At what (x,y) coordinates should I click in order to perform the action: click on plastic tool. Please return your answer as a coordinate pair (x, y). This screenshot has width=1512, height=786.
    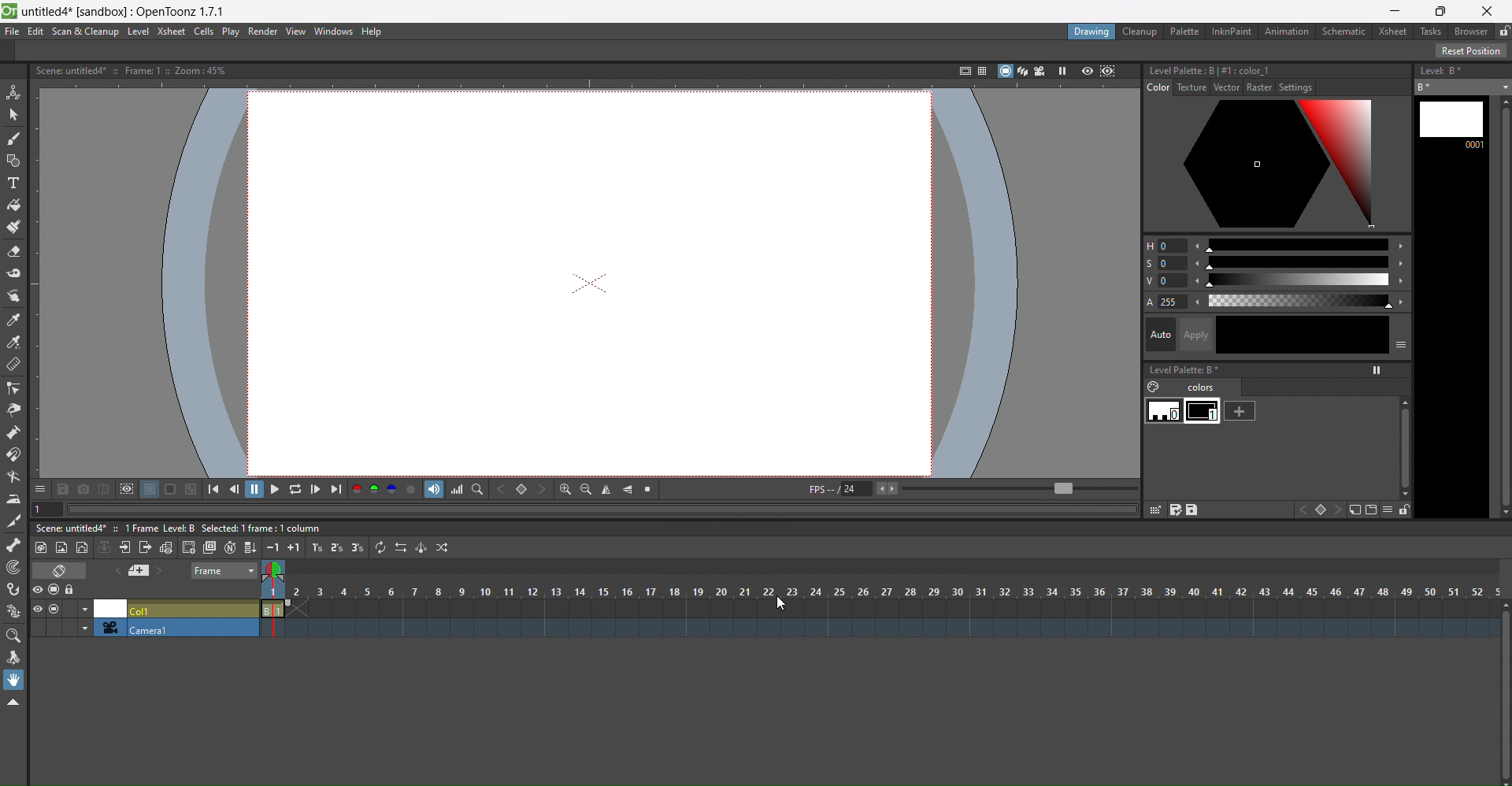
    Looking at the image, I should click on (13, 612).